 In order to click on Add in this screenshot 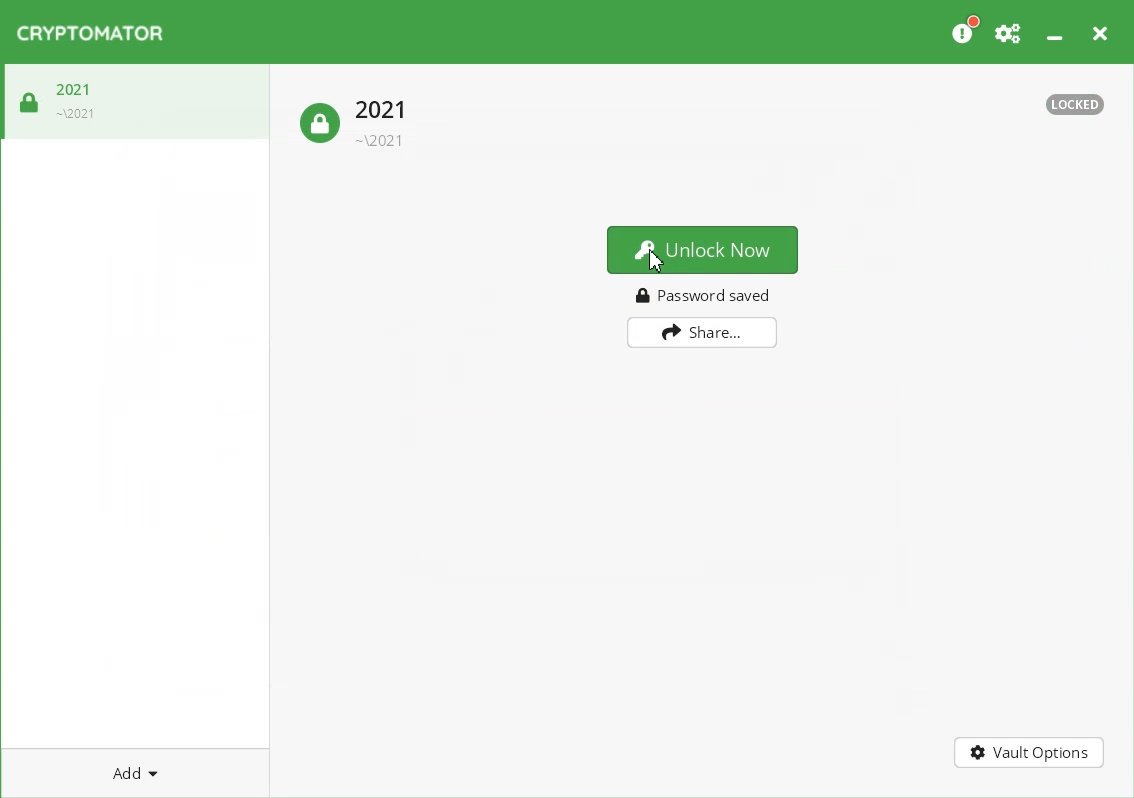, I will do `click(135, 772)`.